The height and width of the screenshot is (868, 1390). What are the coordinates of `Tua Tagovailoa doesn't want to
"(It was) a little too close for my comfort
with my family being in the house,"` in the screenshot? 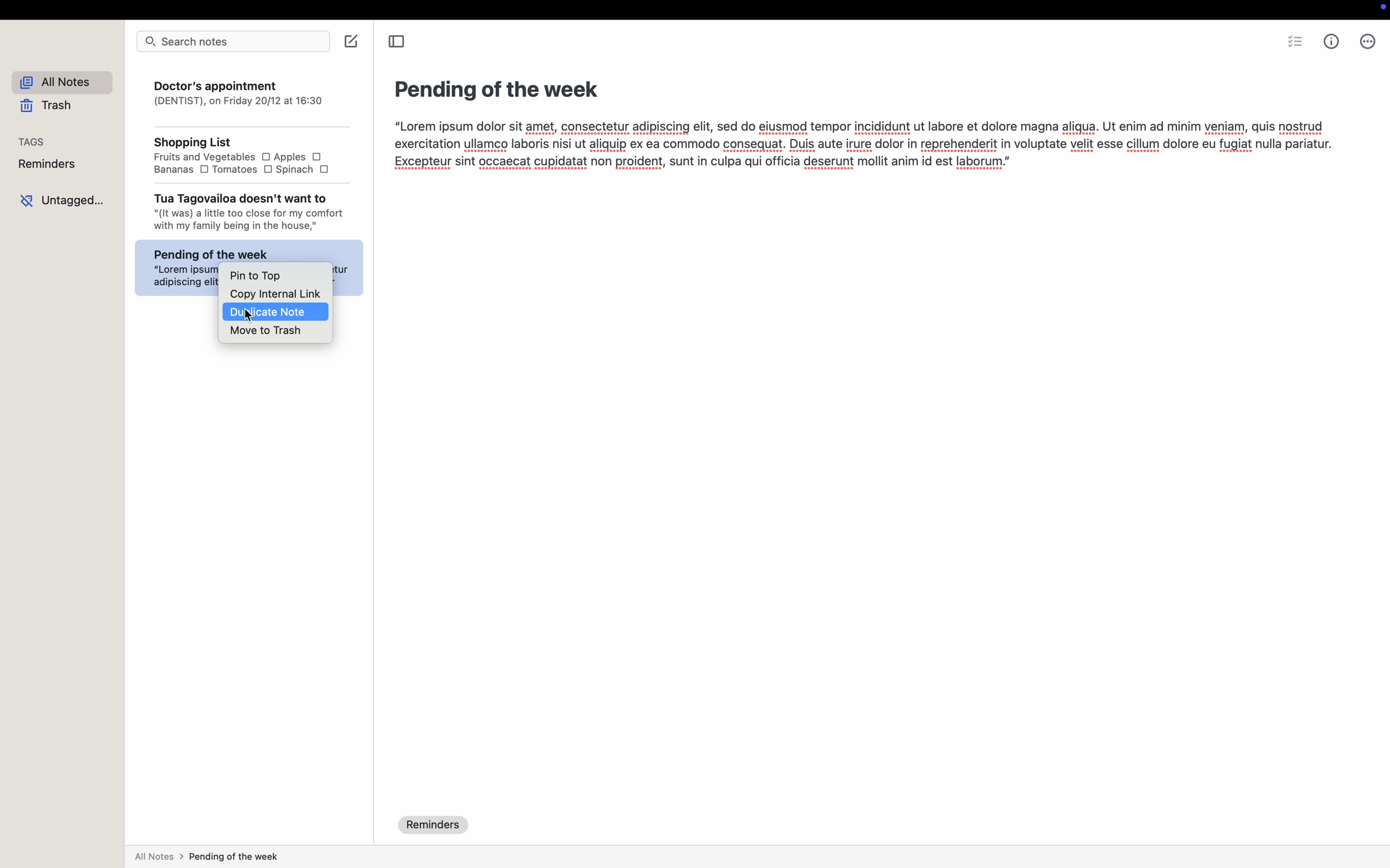 It's located at (249, 209).